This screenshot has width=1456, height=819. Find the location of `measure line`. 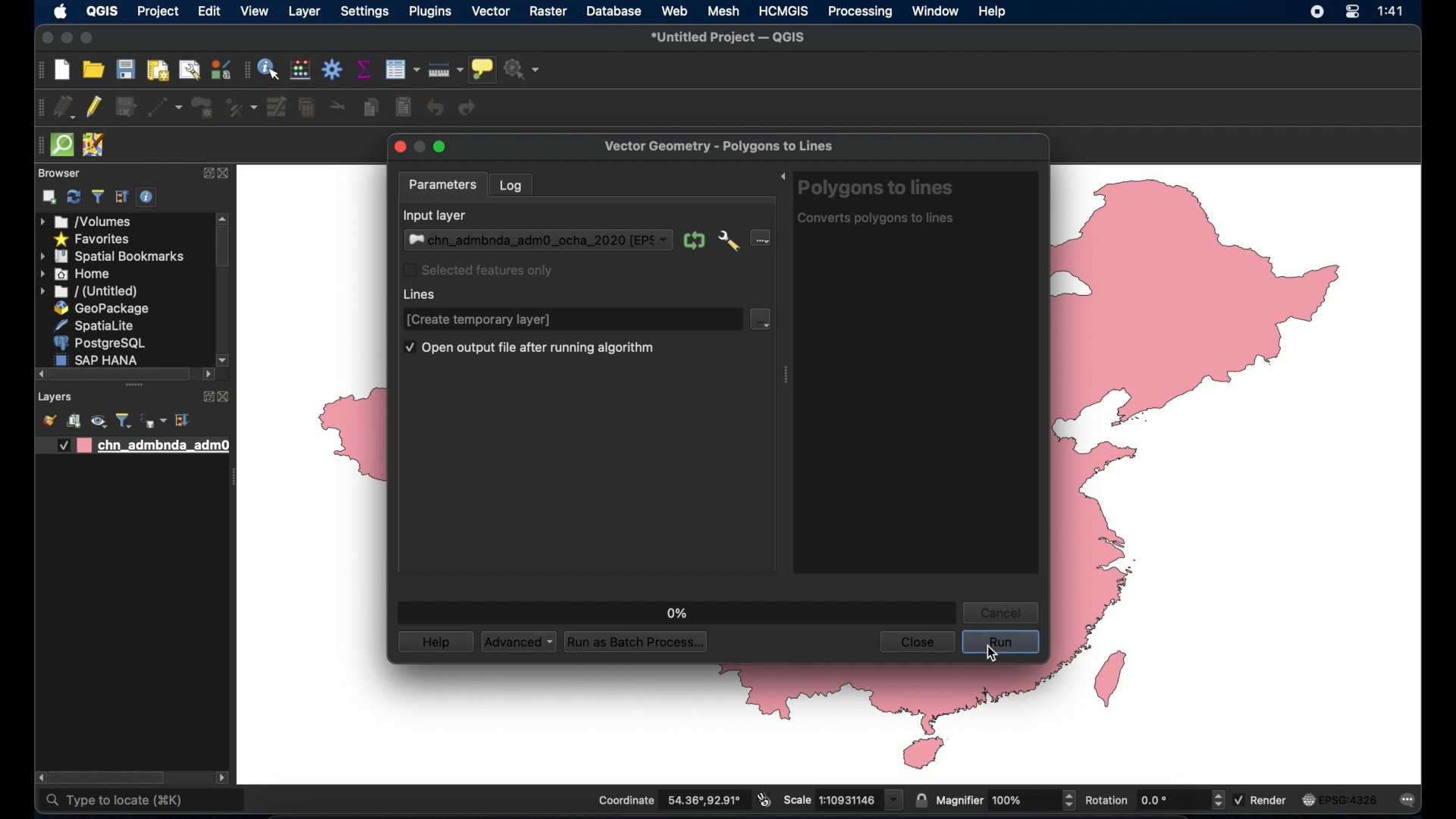

measure line is located at coordinates (446, 67).